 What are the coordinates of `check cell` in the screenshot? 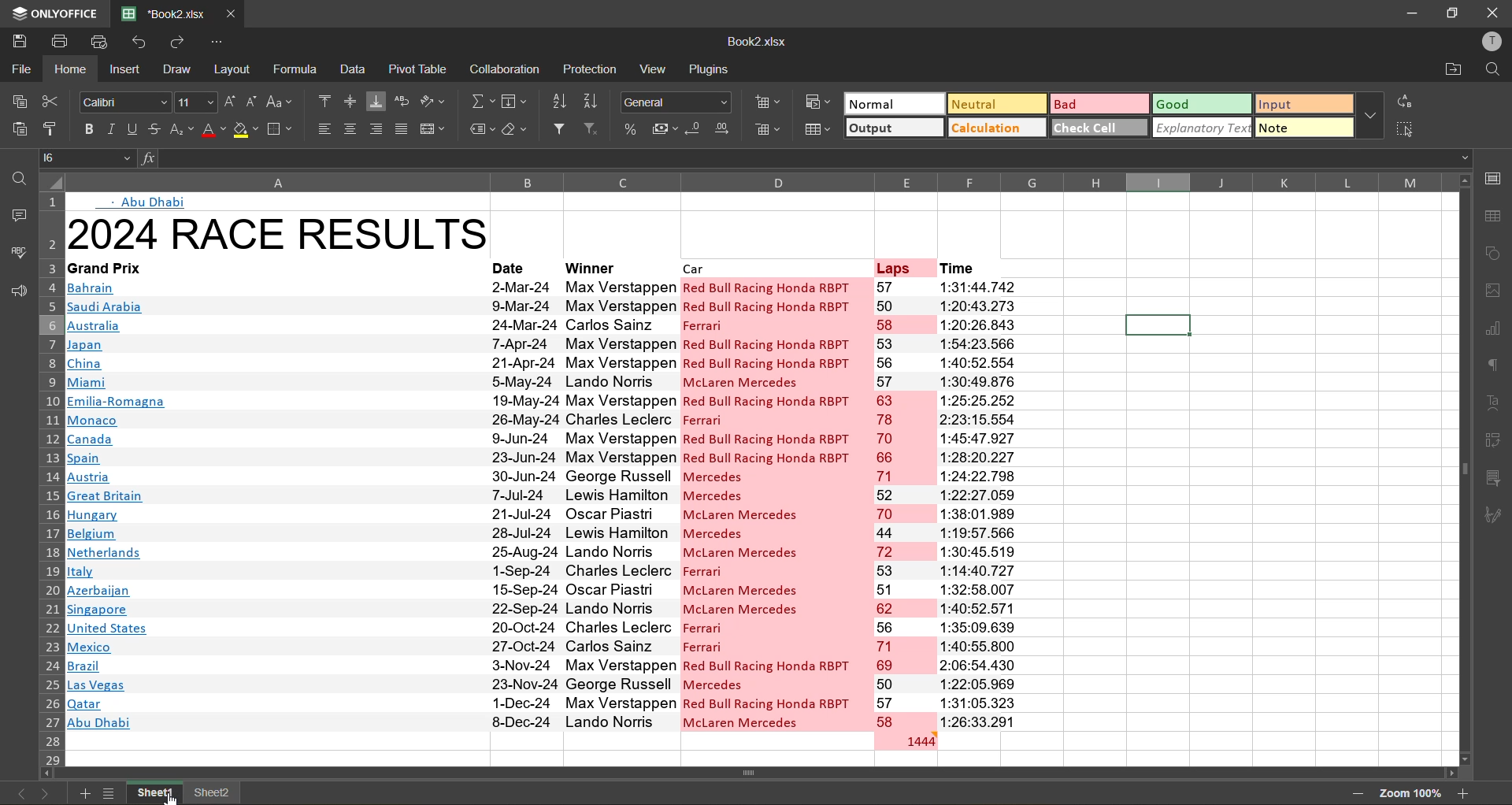 It's located at (1095, 127).